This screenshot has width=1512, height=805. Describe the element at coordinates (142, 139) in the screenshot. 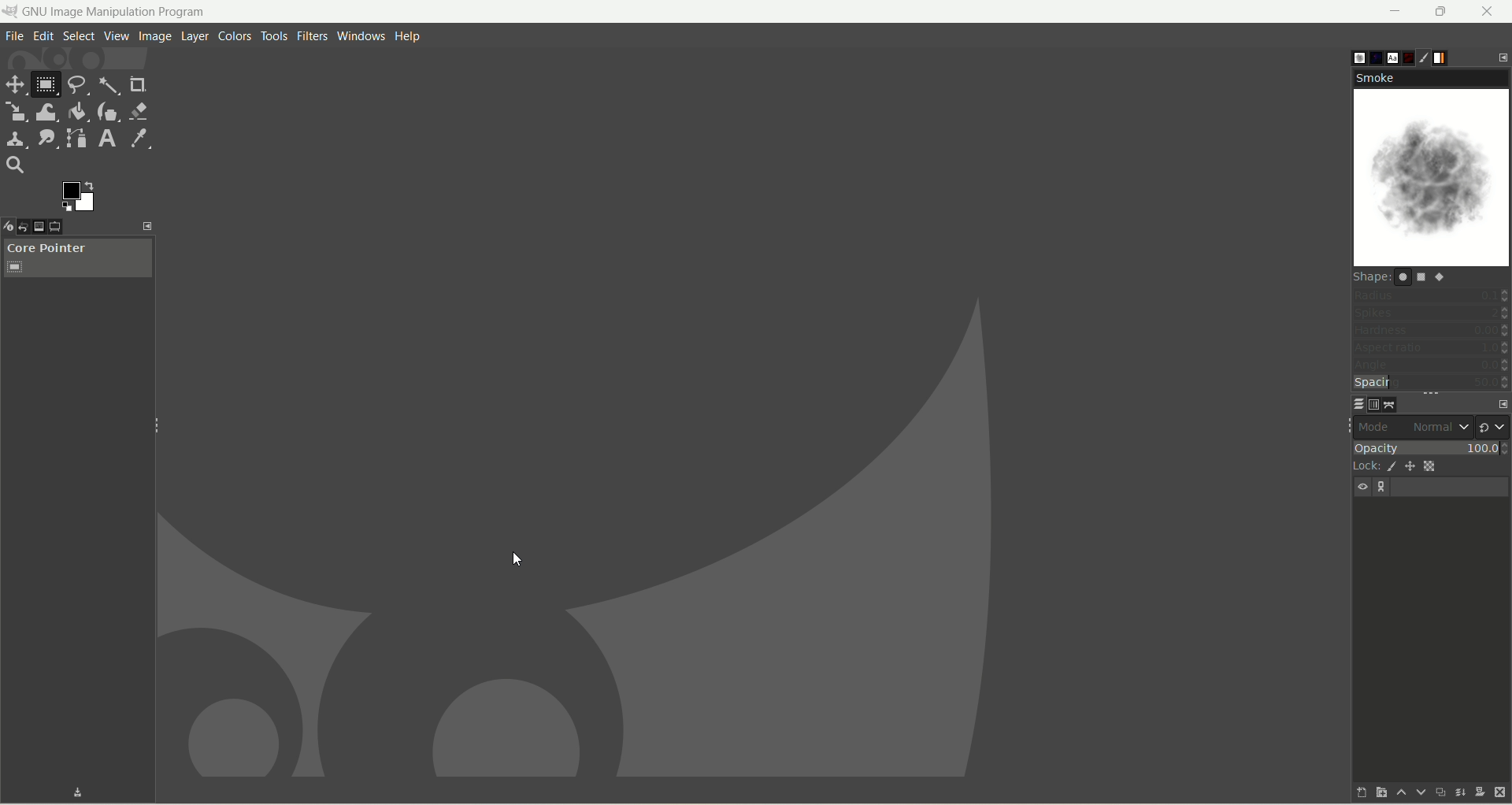

I see `color picker tool` at that location.